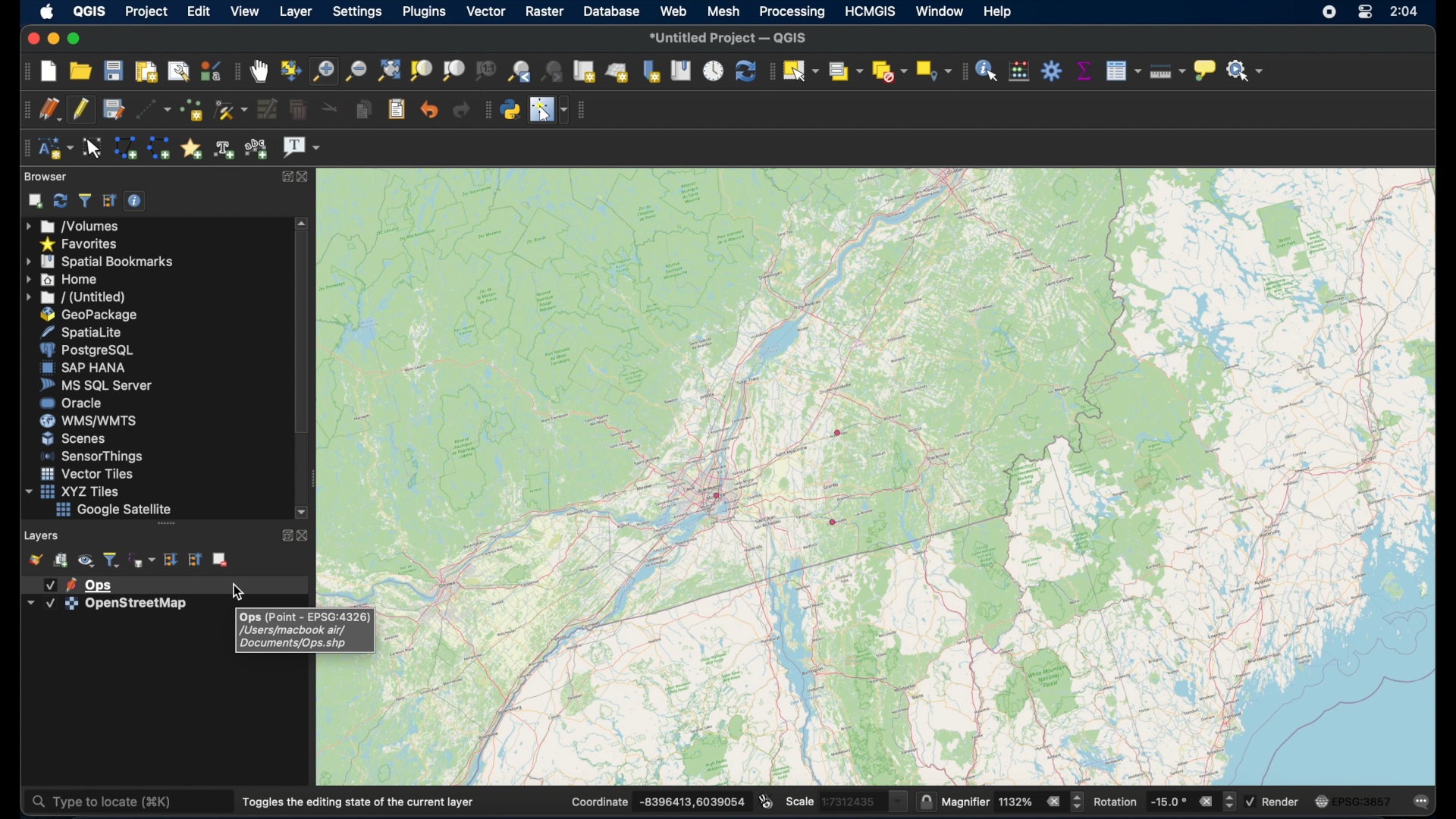  Describe the element at coordinates (75, 39) in the screenshot. I see `maximize` at that location.